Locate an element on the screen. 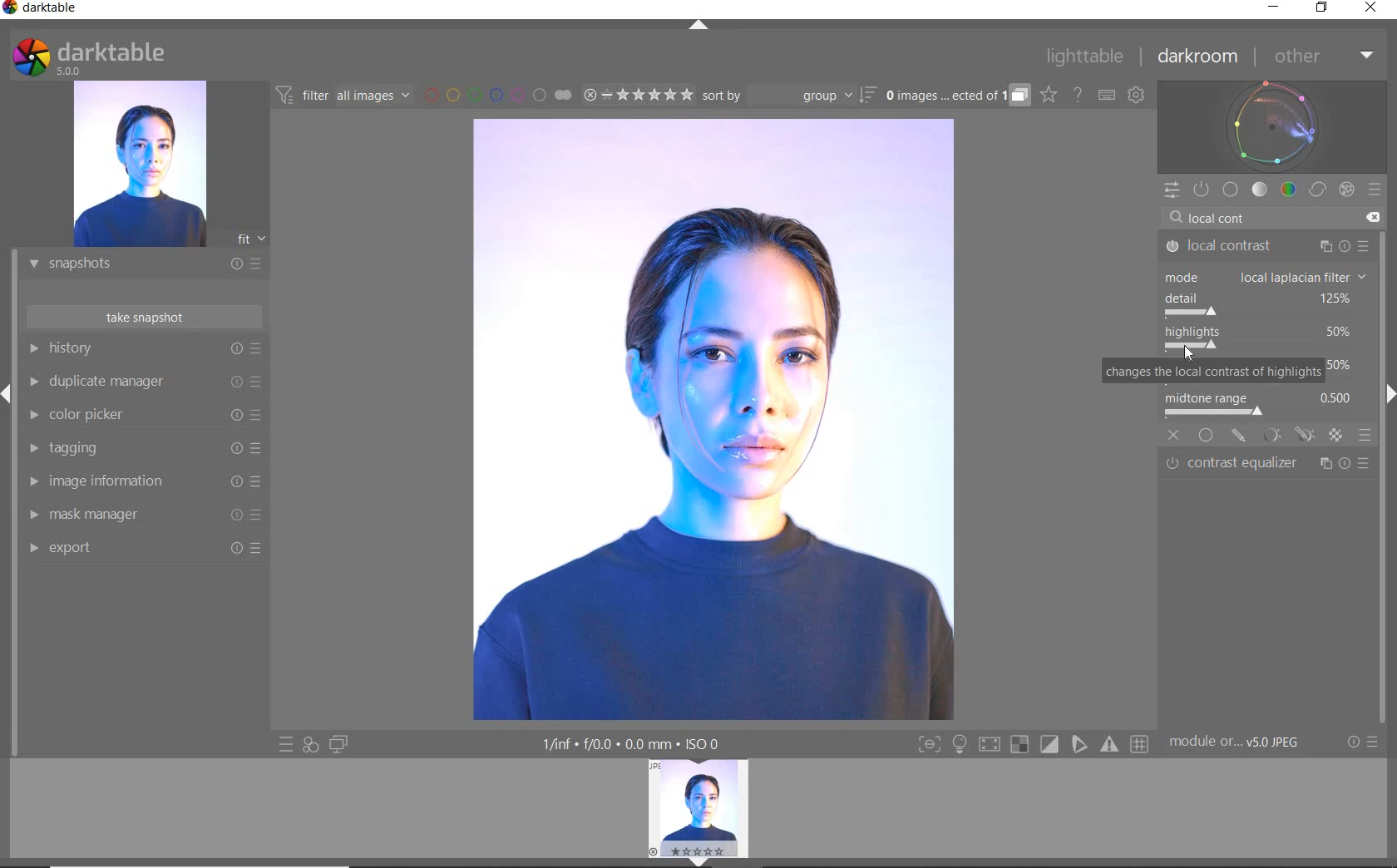  Cursor is located at coordinates (1190, 353).